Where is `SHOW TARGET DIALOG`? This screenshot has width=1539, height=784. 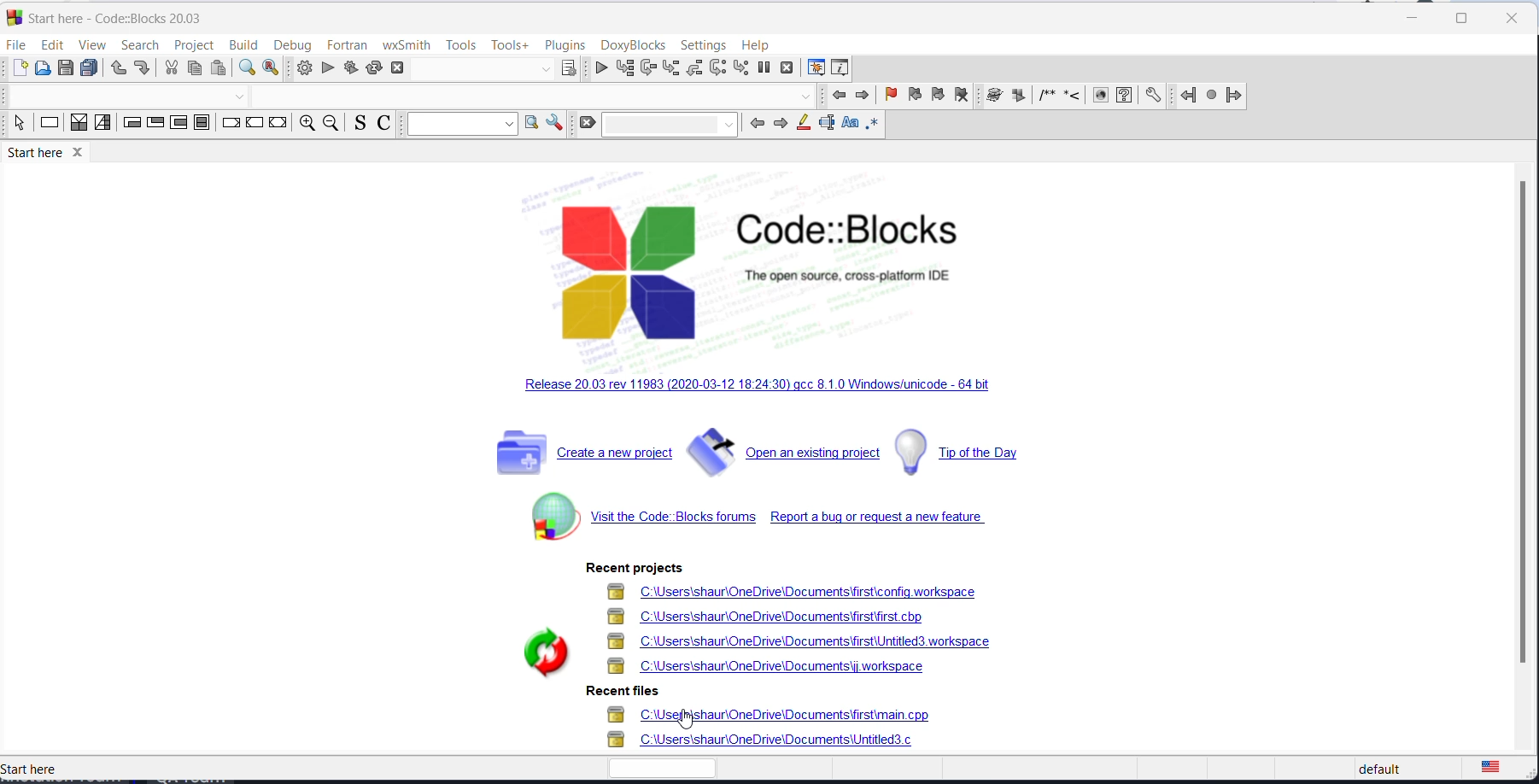 SHOW TARGET DIALOG is located at coordinates (567, 69).